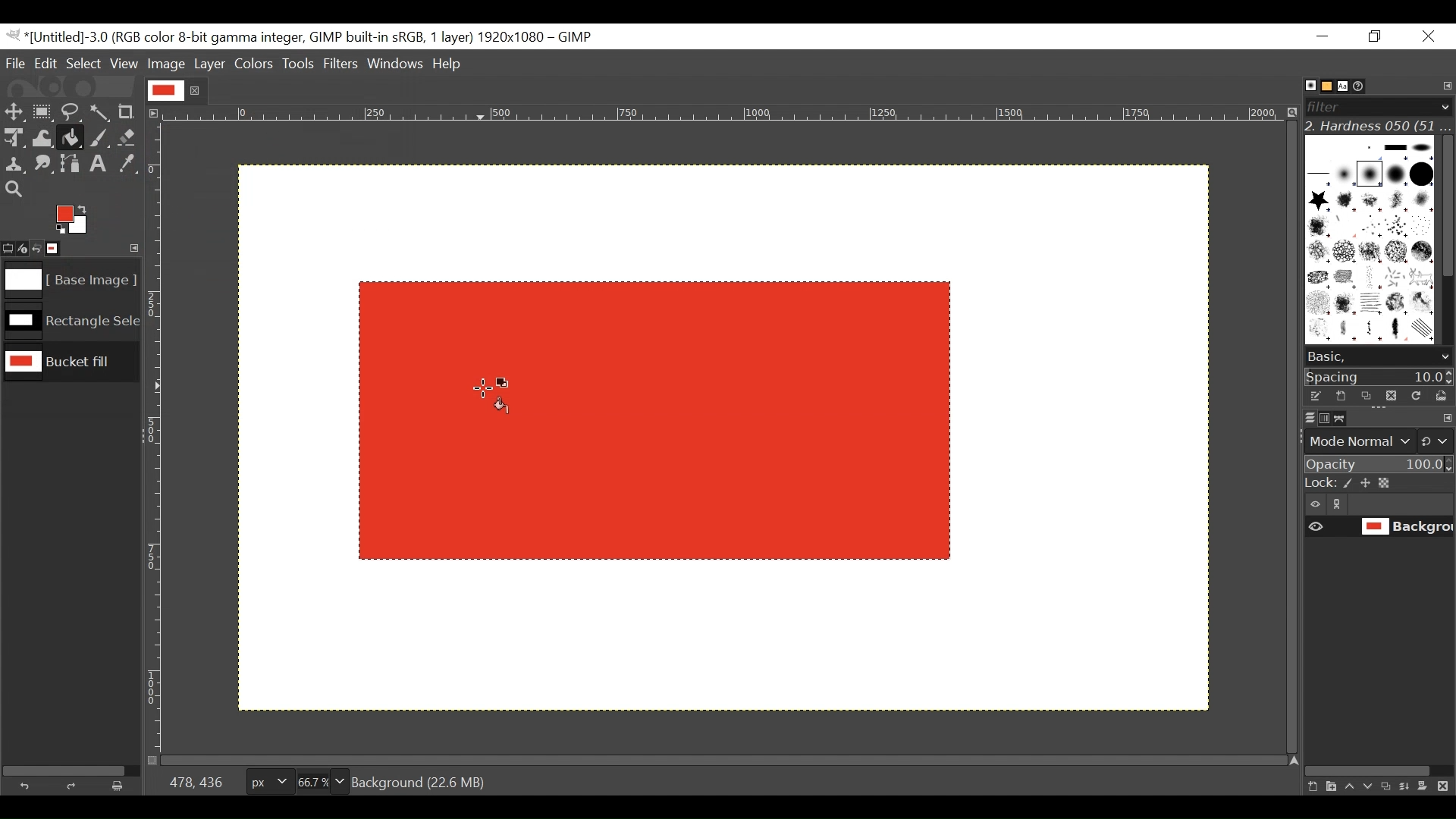 Image resolution: width=1456 pixels, height=819 pixels. What do you see at coordinates (302, 37) in the screenshot?
I see `Gimp File Name` at bounding box center [302, 37].